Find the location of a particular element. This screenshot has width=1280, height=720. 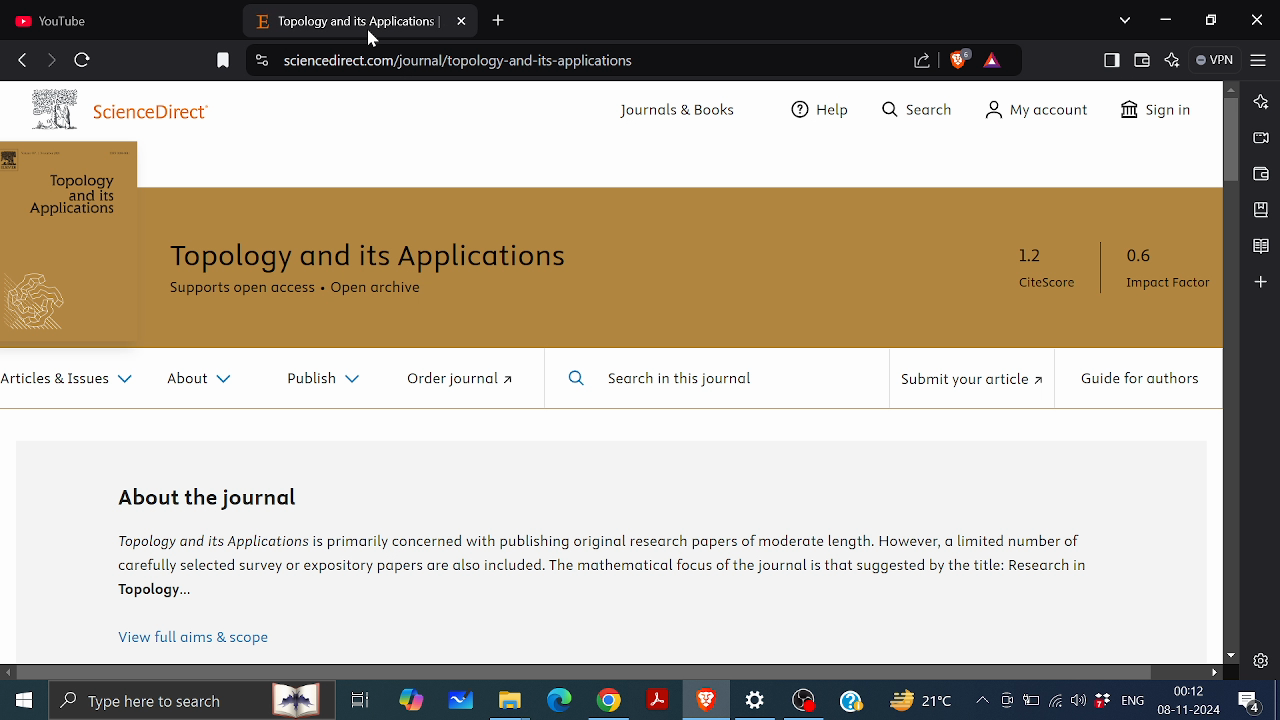

webpage is located at coordinates (611, 372).